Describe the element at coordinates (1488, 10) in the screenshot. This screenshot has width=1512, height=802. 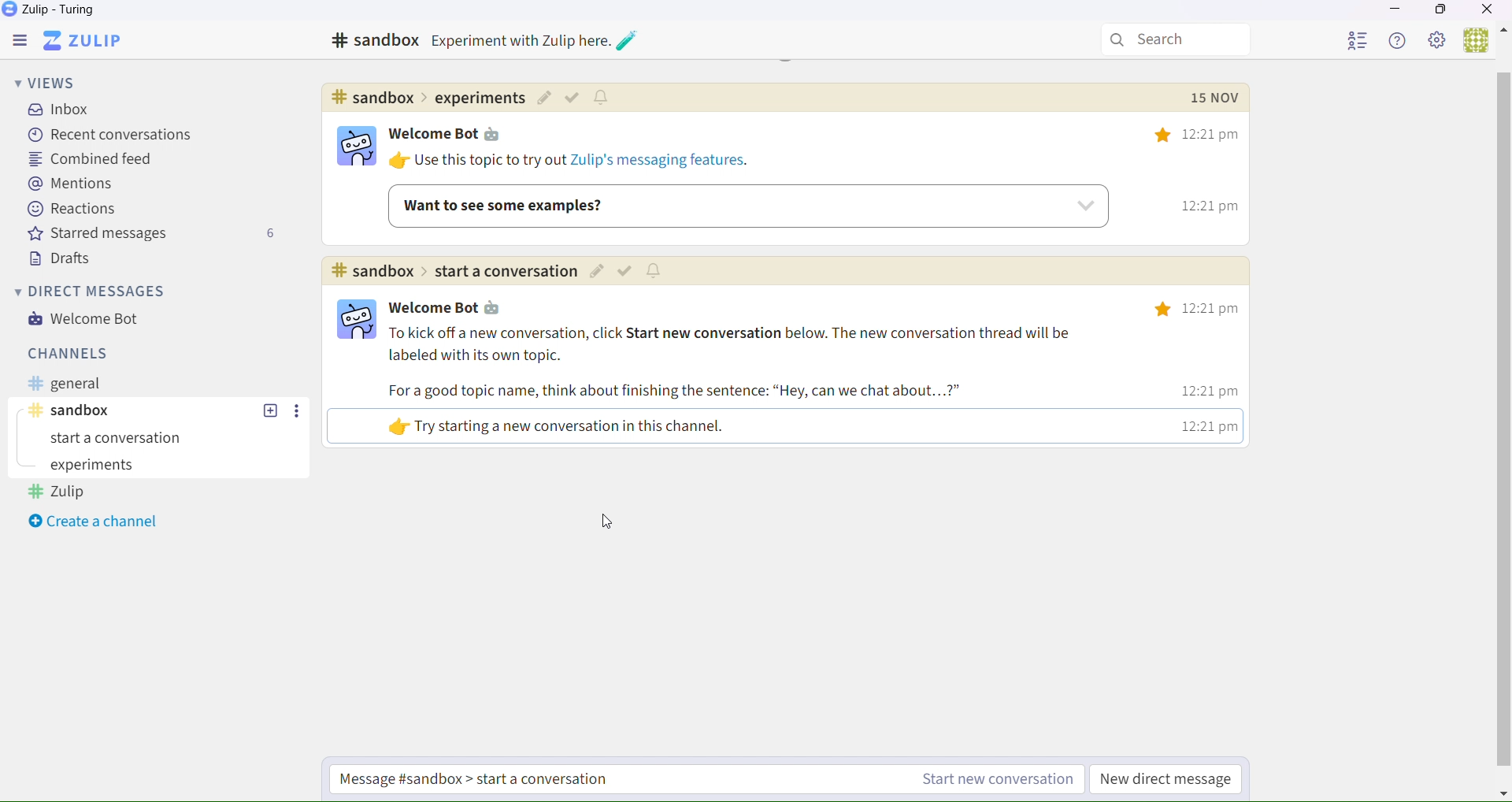
I see `Close` at that location.